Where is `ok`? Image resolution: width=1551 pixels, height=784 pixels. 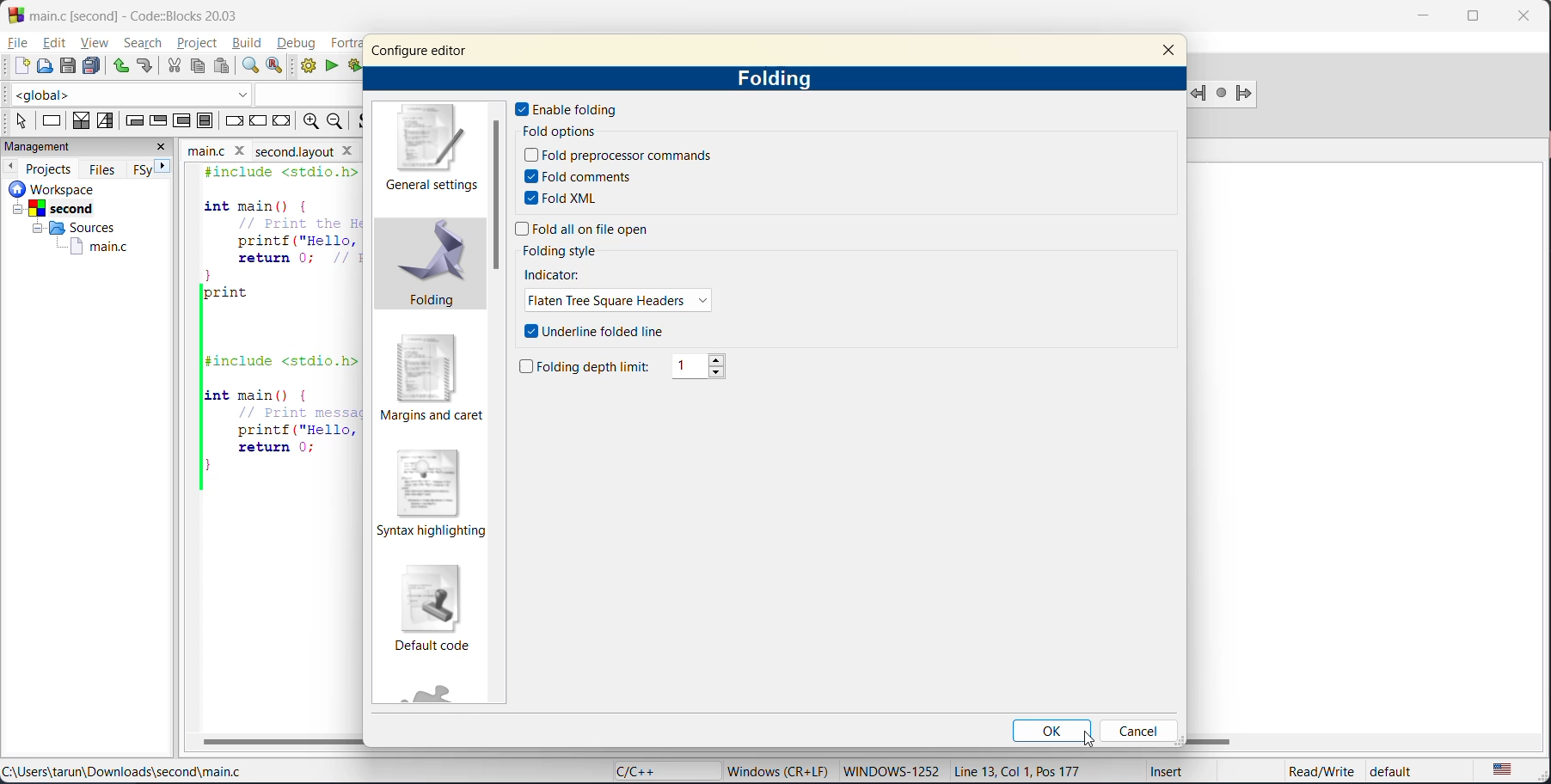
ok is located at coordinates (1051, 732).